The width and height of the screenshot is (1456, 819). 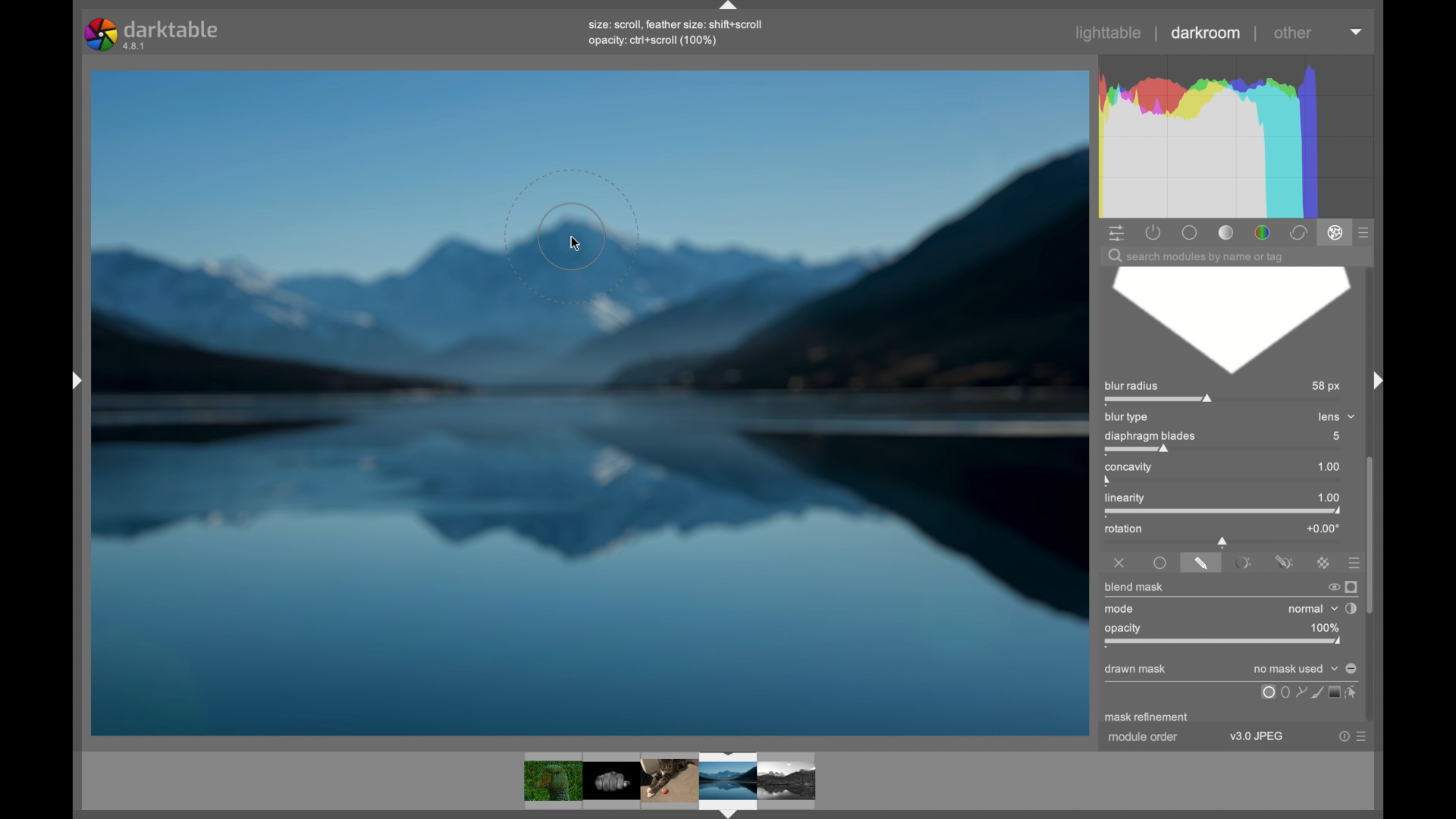 I want to click on correct, so click(x=1298, y=233).